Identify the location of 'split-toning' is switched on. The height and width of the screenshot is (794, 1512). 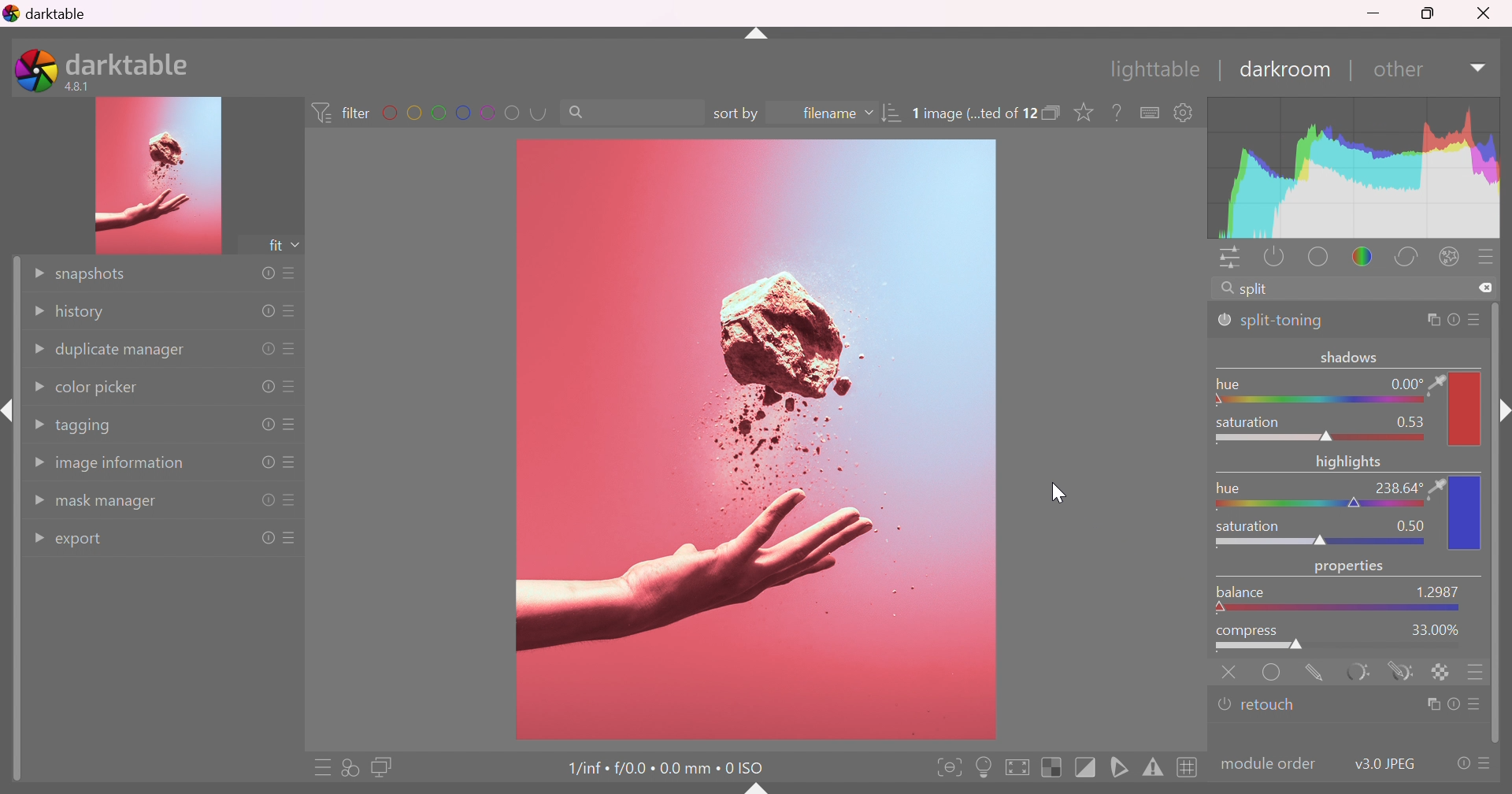
(1223, 321).